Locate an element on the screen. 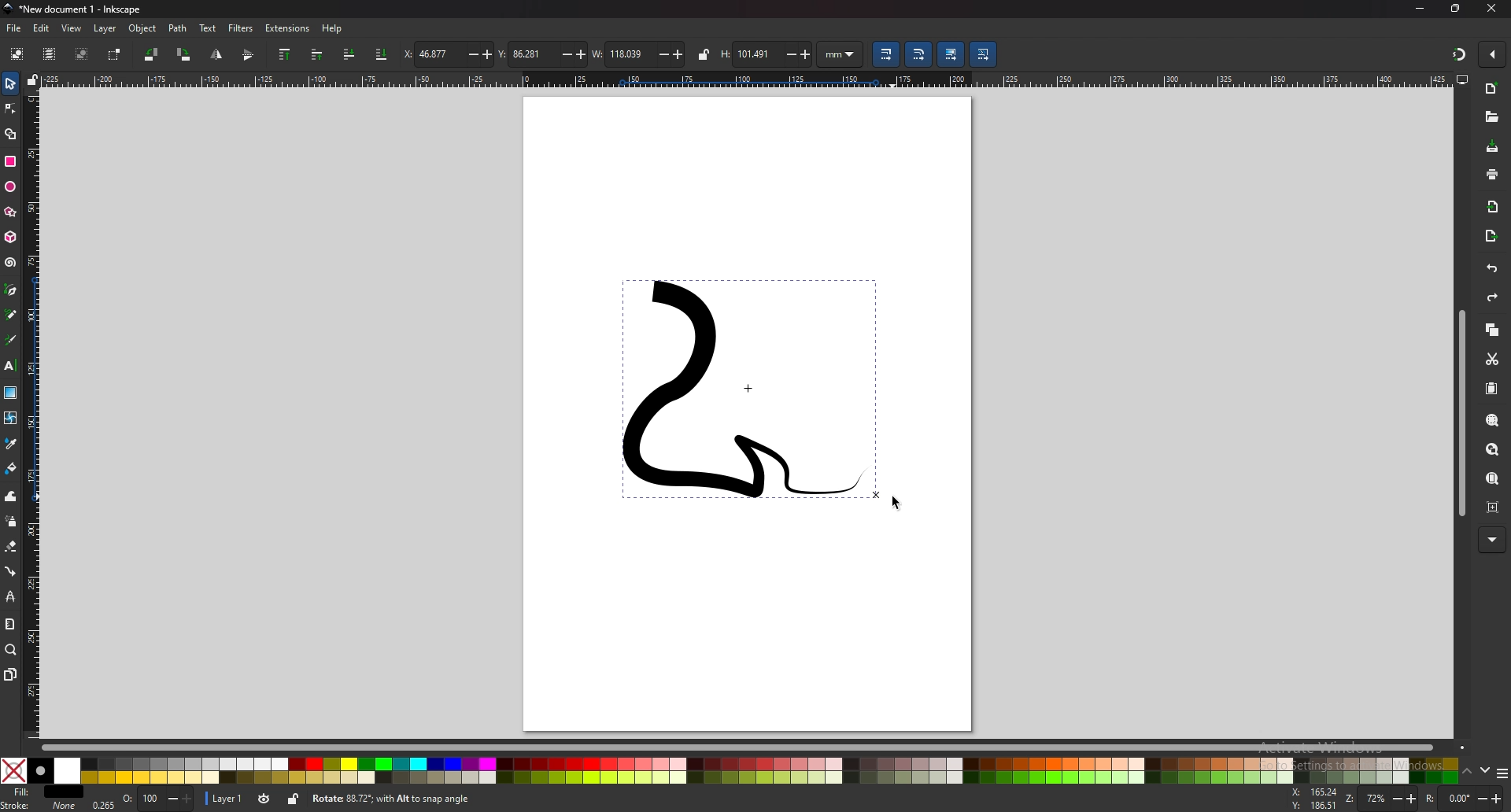  select all in all layers is located at coordinates (49, 54).